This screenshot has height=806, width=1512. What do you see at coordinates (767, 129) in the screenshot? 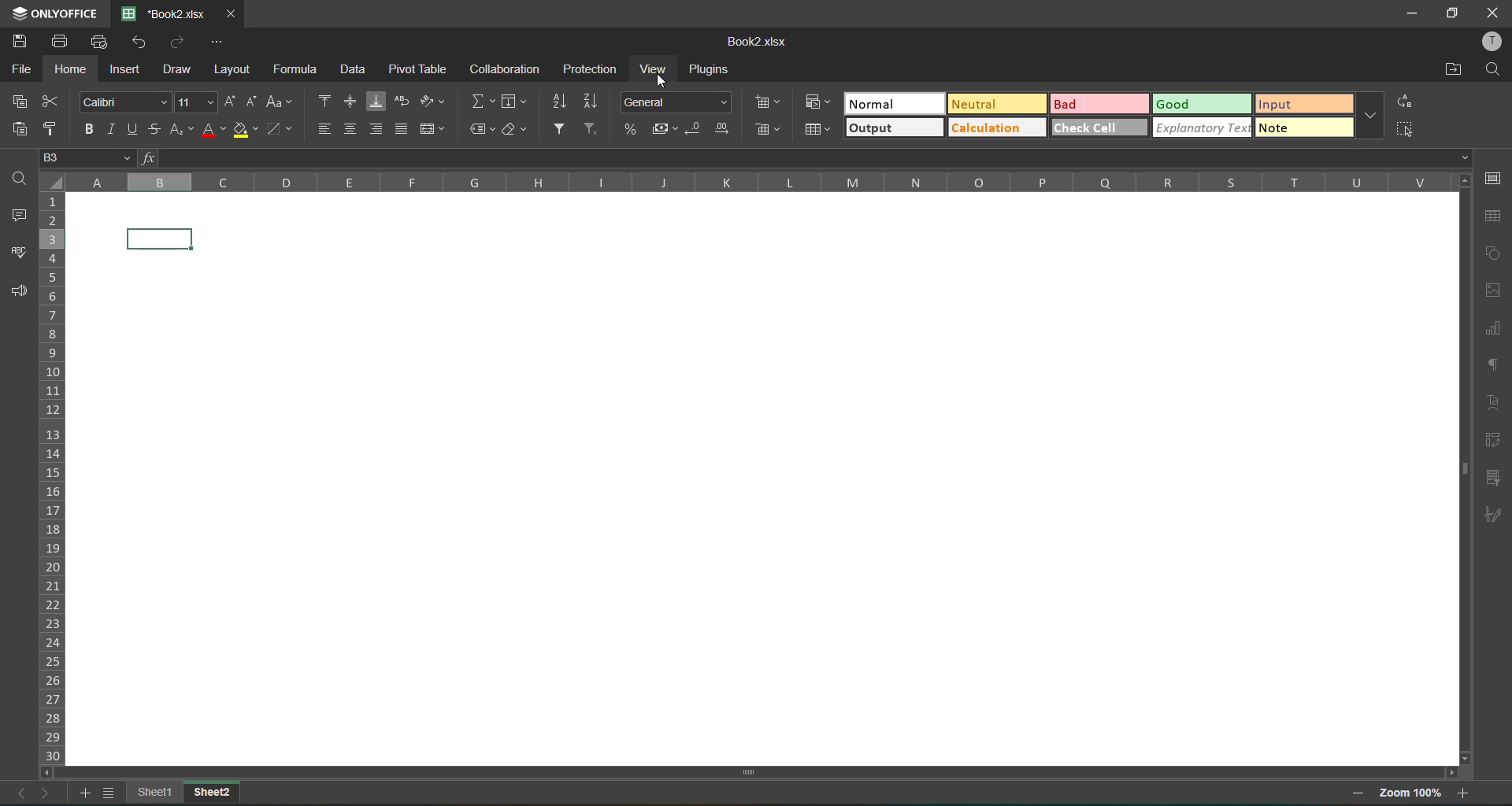
I see `delete cells` at bounding box center [767, 129].